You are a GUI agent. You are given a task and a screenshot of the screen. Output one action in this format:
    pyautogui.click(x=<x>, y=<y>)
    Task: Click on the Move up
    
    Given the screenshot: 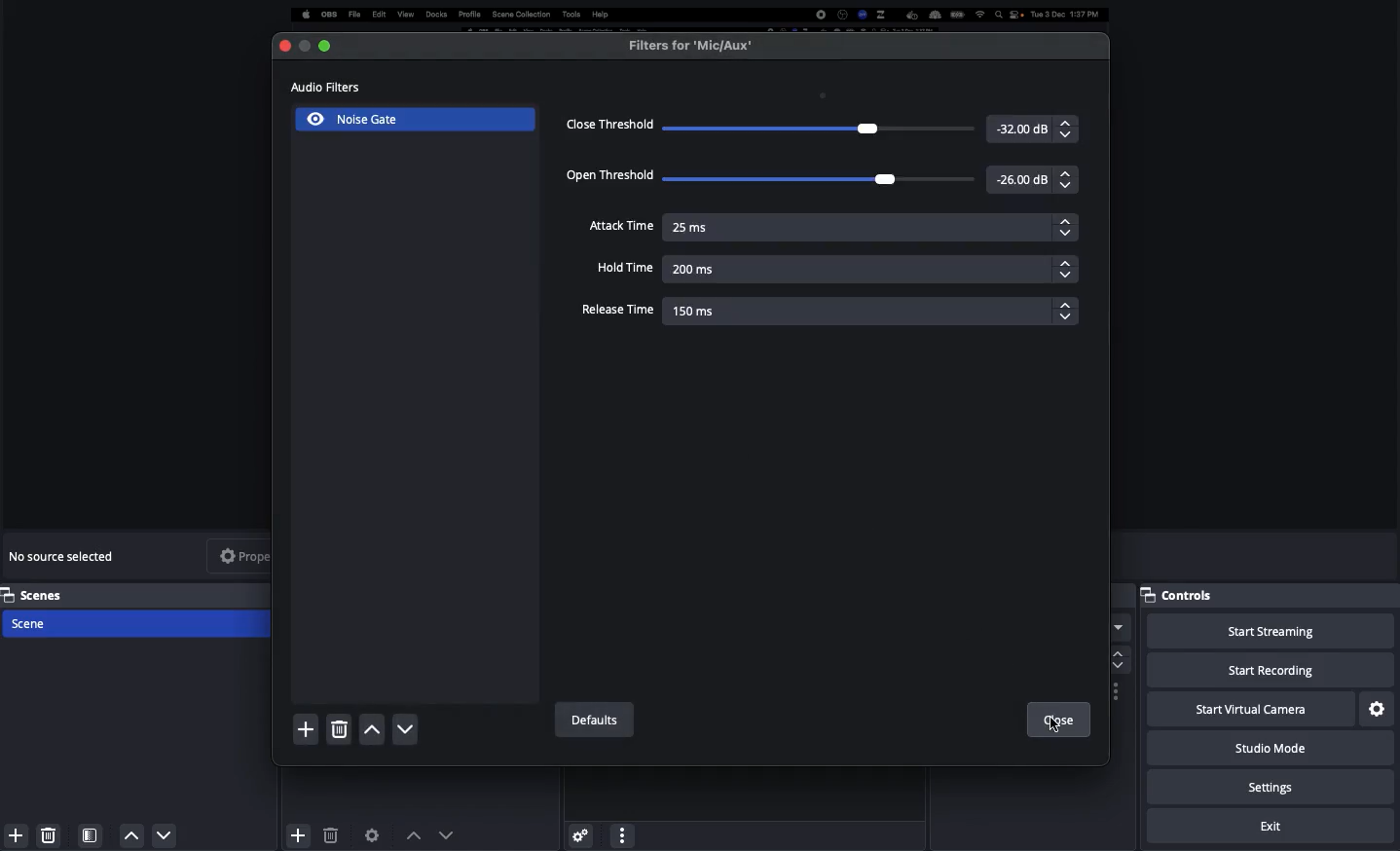 What is the action you would take?
    pyautogui.click(x=414, y=834)
    